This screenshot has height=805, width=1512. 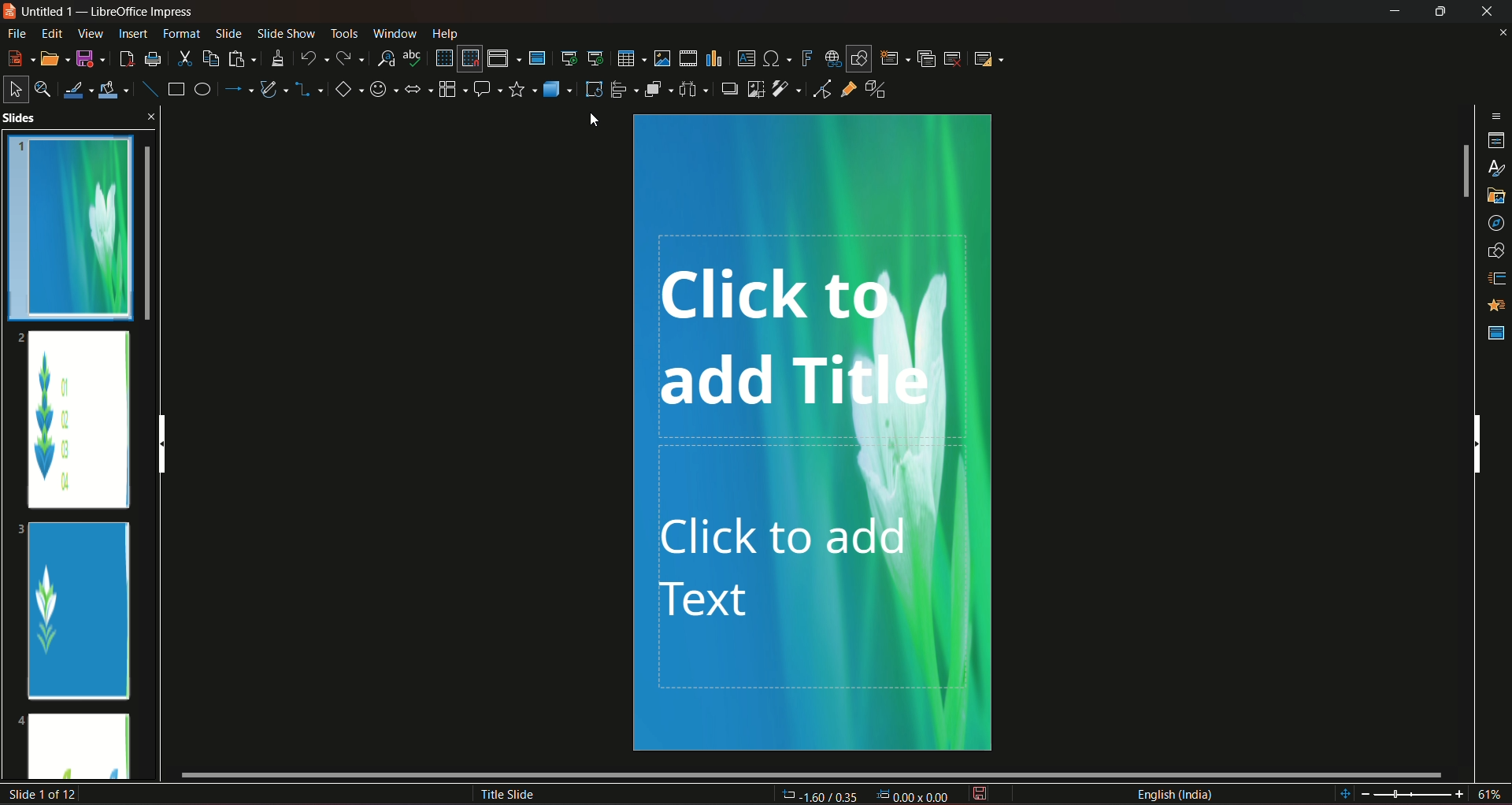 I want to click on fill color, so click(x=117, y=87).